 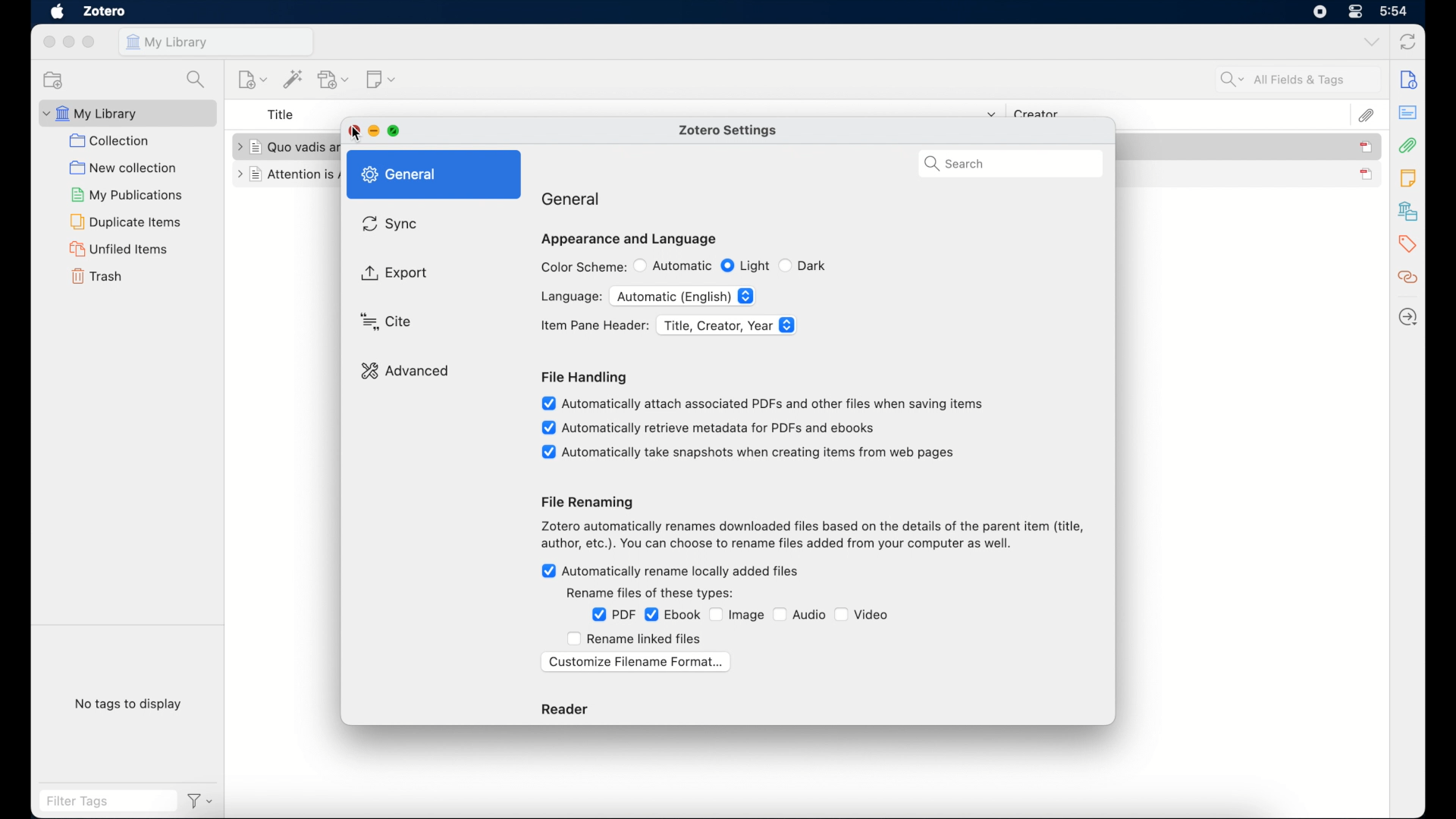 I want to click on journal unselected, so click(x=1366, y=174).